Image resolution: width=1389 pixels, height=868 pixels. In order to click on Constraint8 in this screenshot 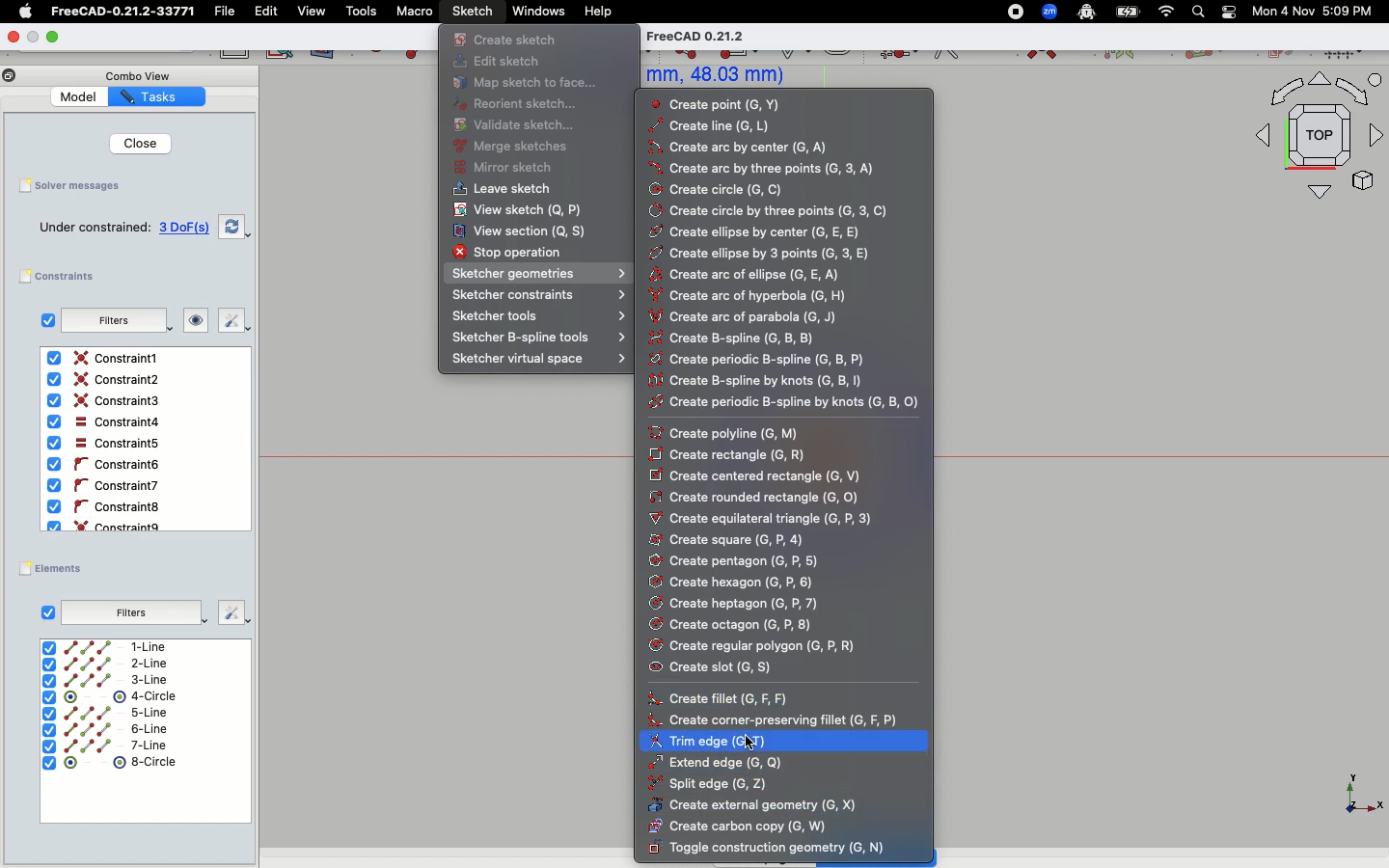, I will do `click(106, 507)`.